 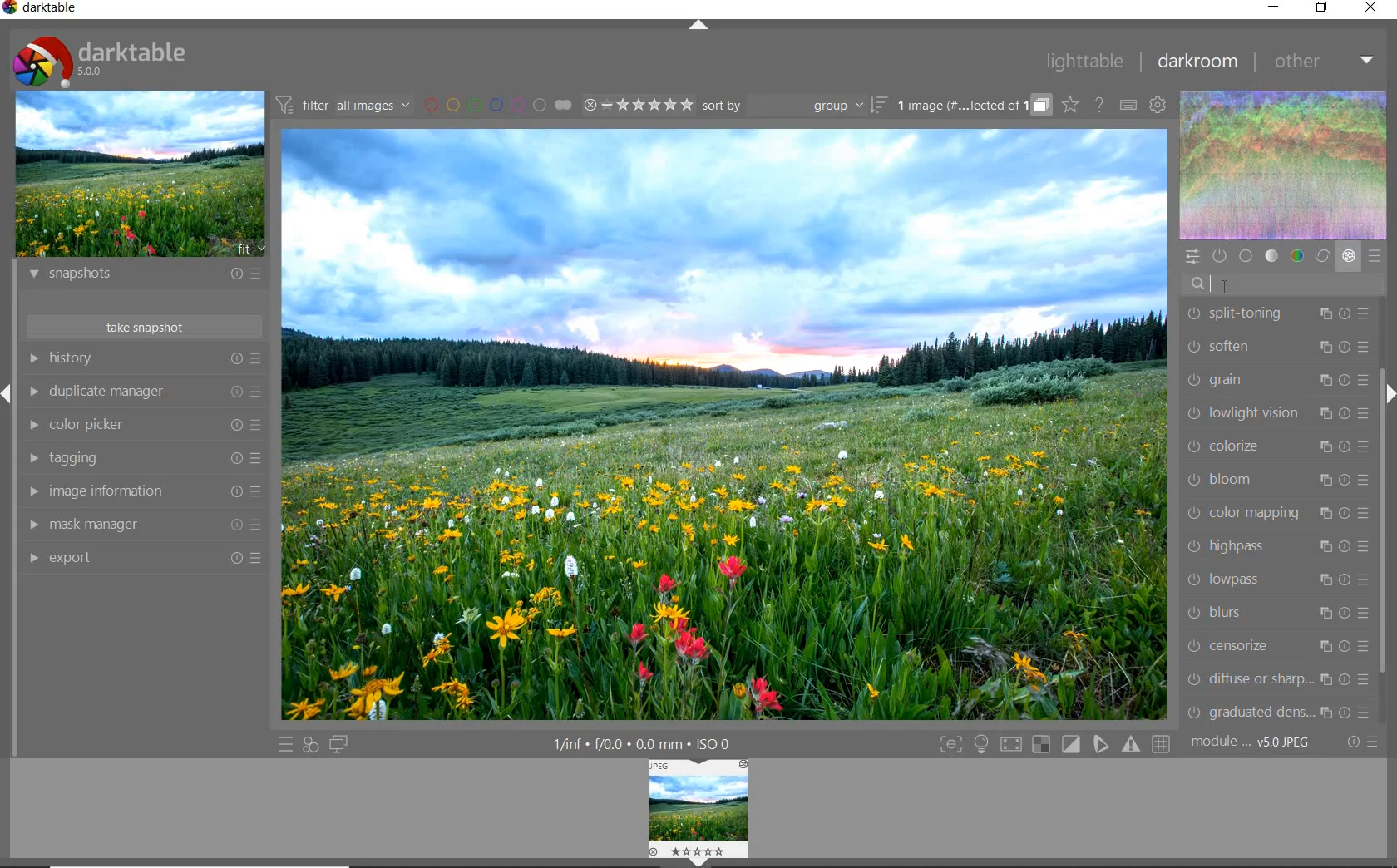 I want to click on soften, so click(x=1276, y=346).